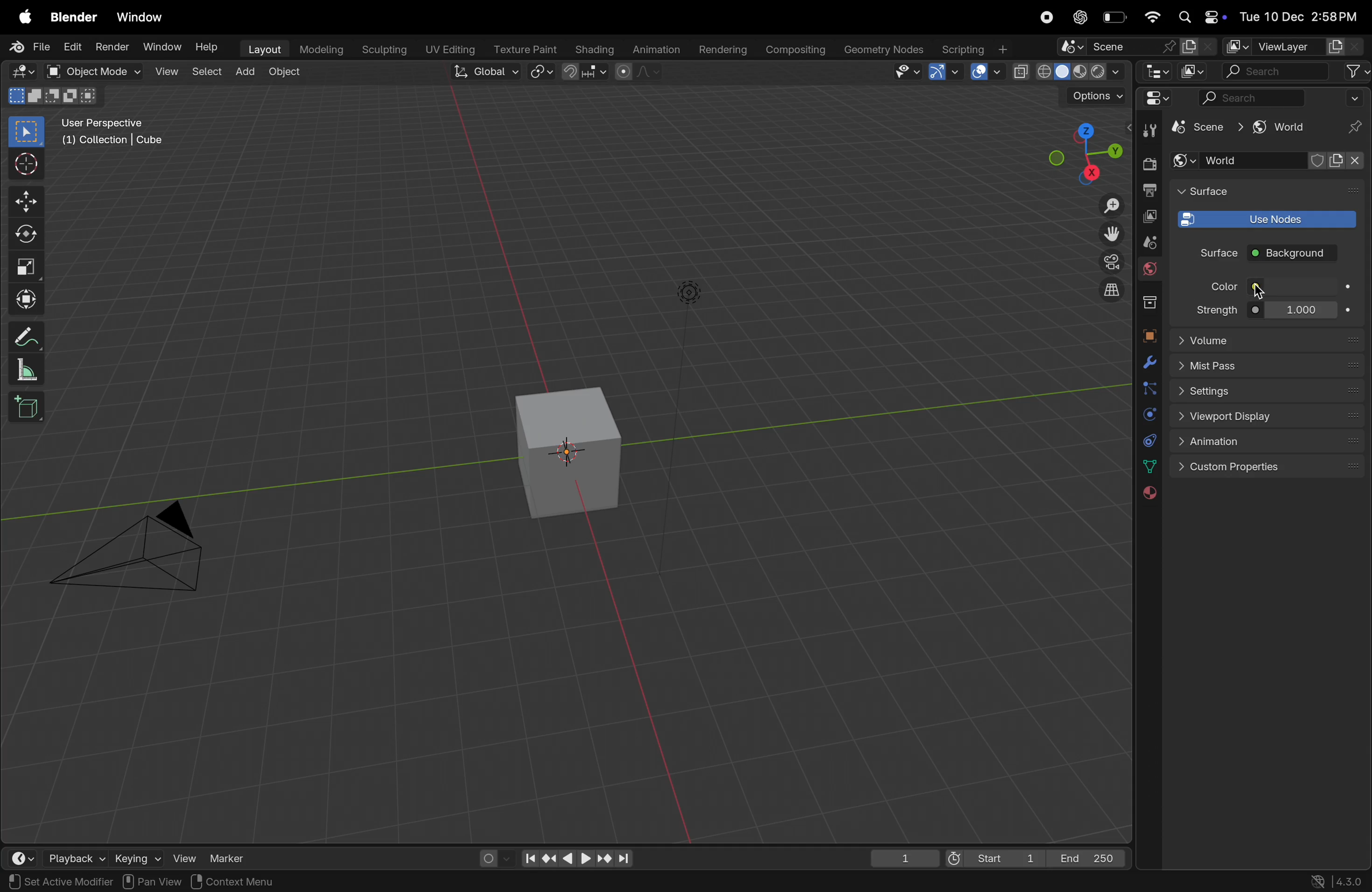  Describe the element at coordinates (260, 50) in the screenshot. I see `layout` at that location.